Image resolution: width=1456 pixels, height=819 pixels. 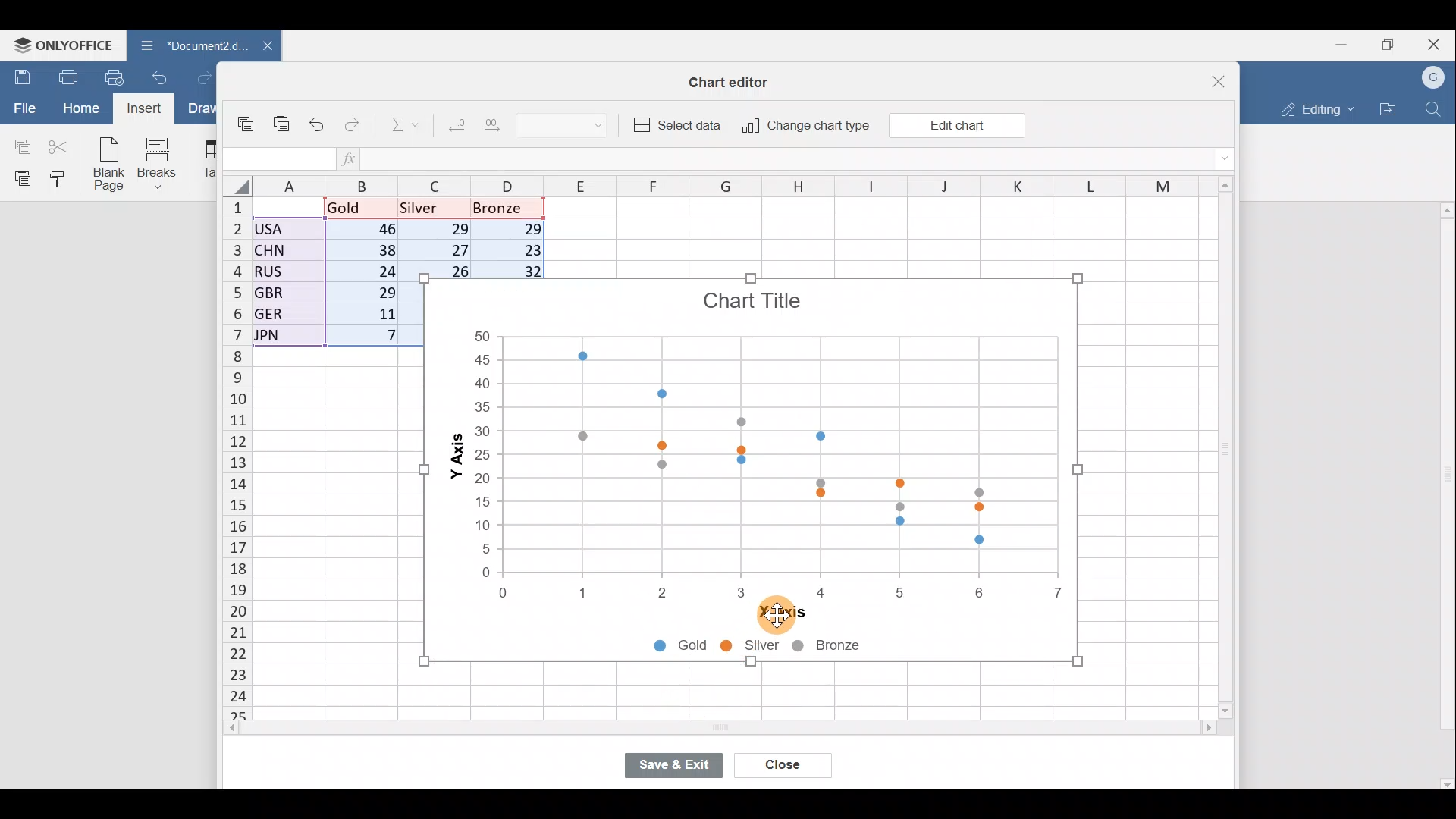 What do you see at coordinates (1389, 45) in the screenshot?
I see `Maximize` at bounding box center [1389, 45].